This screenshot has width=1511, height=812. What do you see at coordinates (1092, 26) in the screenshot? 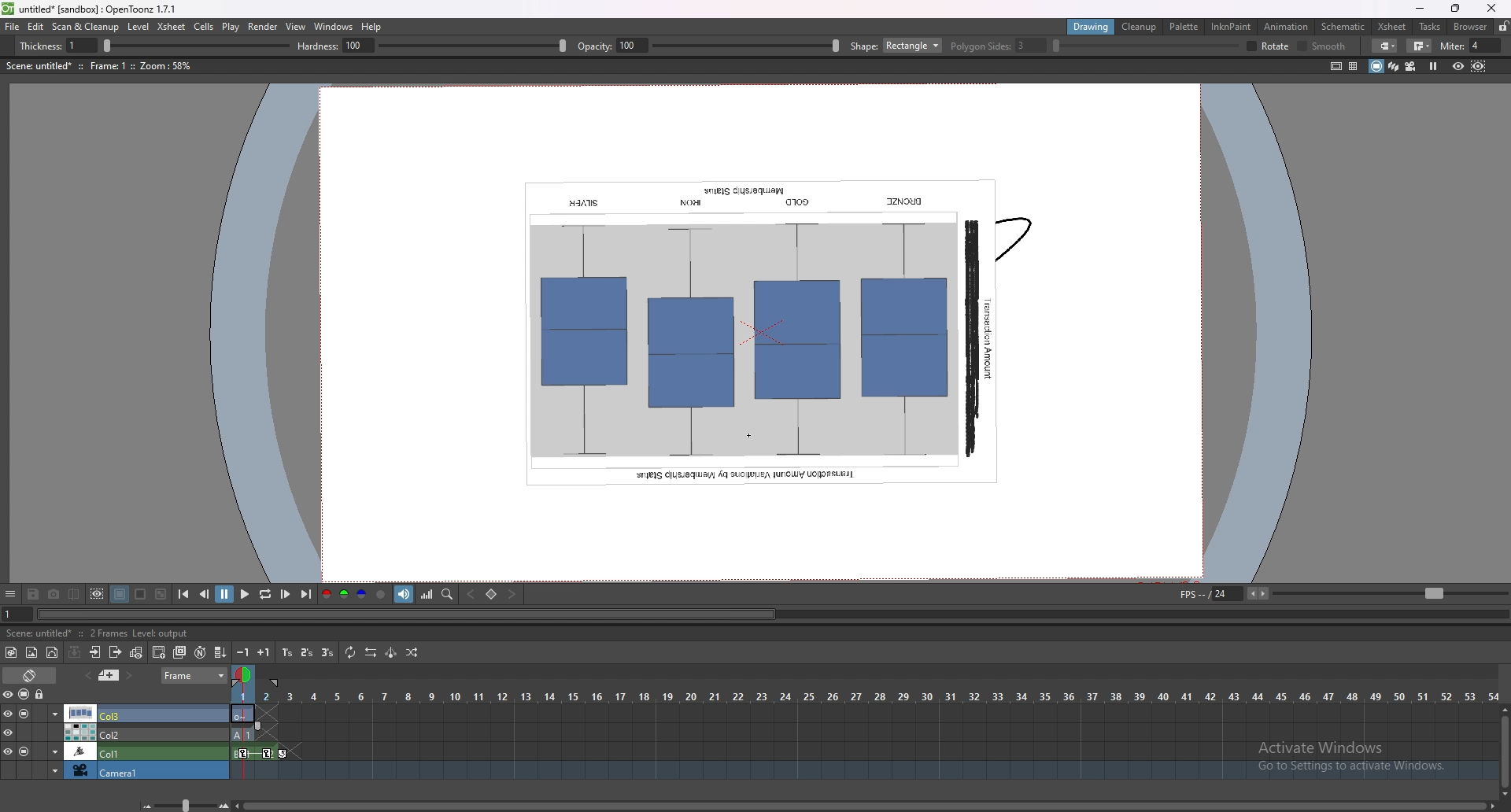
I see `drawing` at bounding box center [1092, 26].